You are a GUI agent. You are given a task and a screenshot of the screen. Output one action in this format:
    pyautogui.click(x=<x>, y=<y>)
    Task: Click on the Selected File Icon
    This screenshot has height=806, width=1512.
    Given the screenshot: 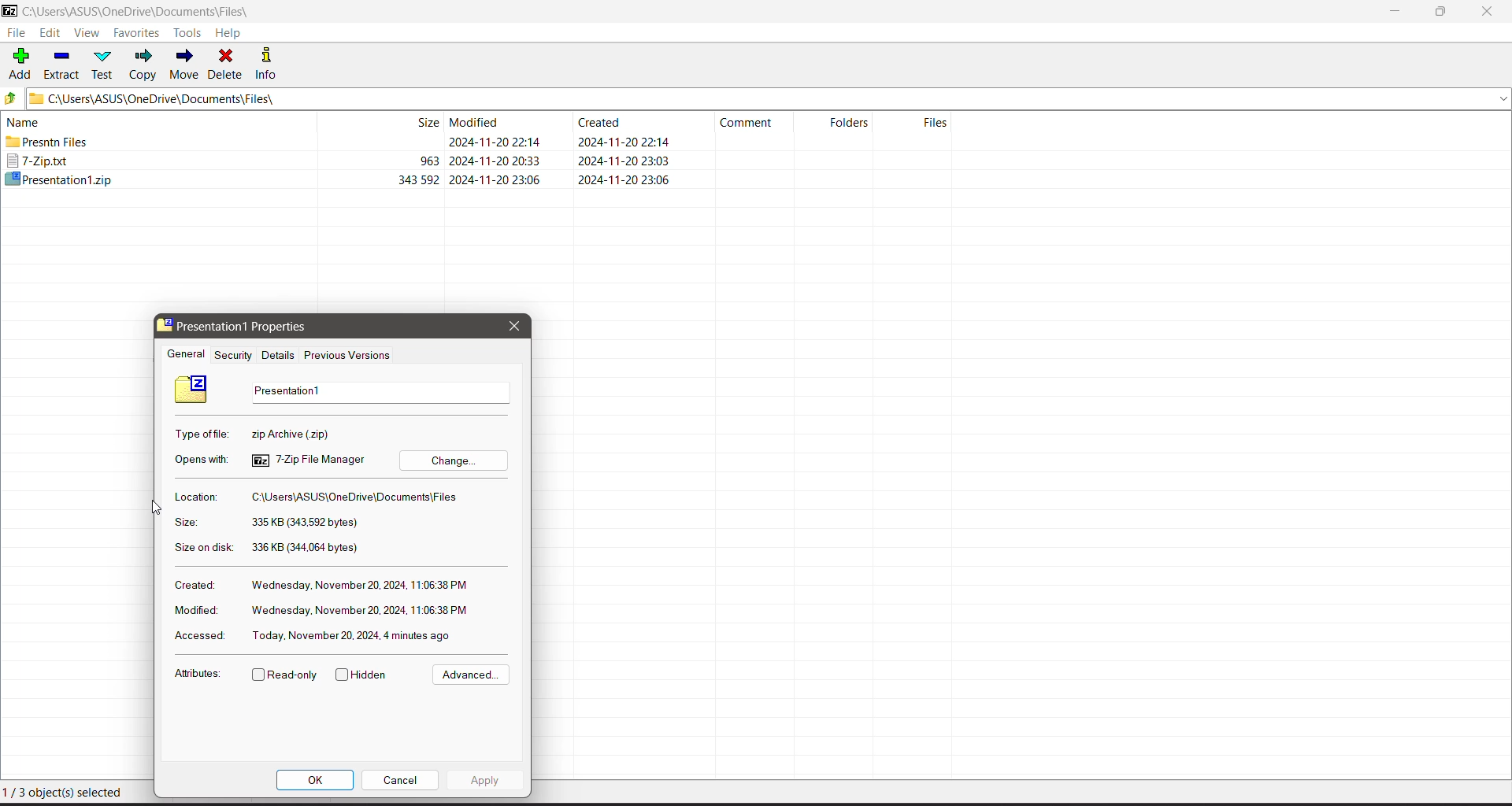 What is the action you would take?
    pyautogui.click(x=192, y=390)
    